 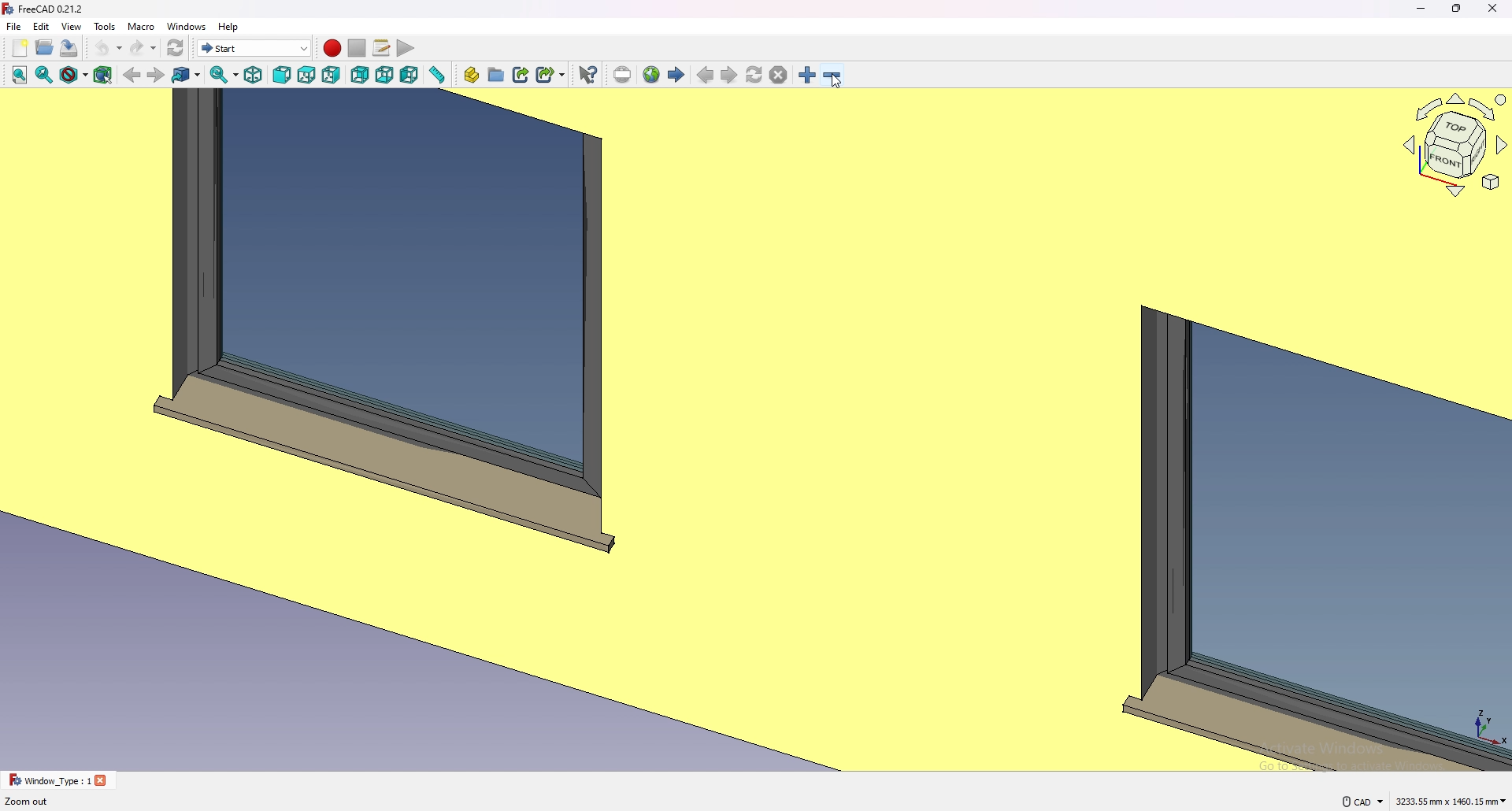 I want to click on macro recording, so click(x=332, y=48).